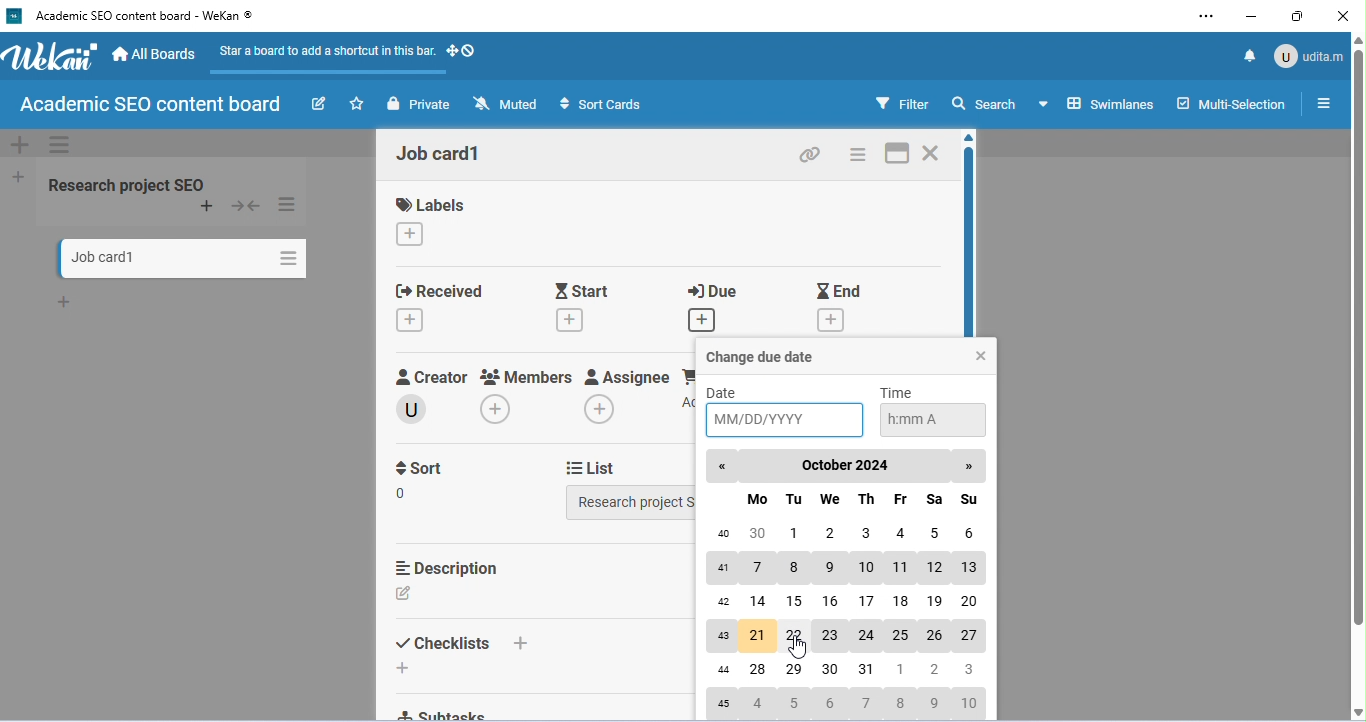  Describe the element at coordinates (703, 318) in the screenshot. I see `add due date` at that location.